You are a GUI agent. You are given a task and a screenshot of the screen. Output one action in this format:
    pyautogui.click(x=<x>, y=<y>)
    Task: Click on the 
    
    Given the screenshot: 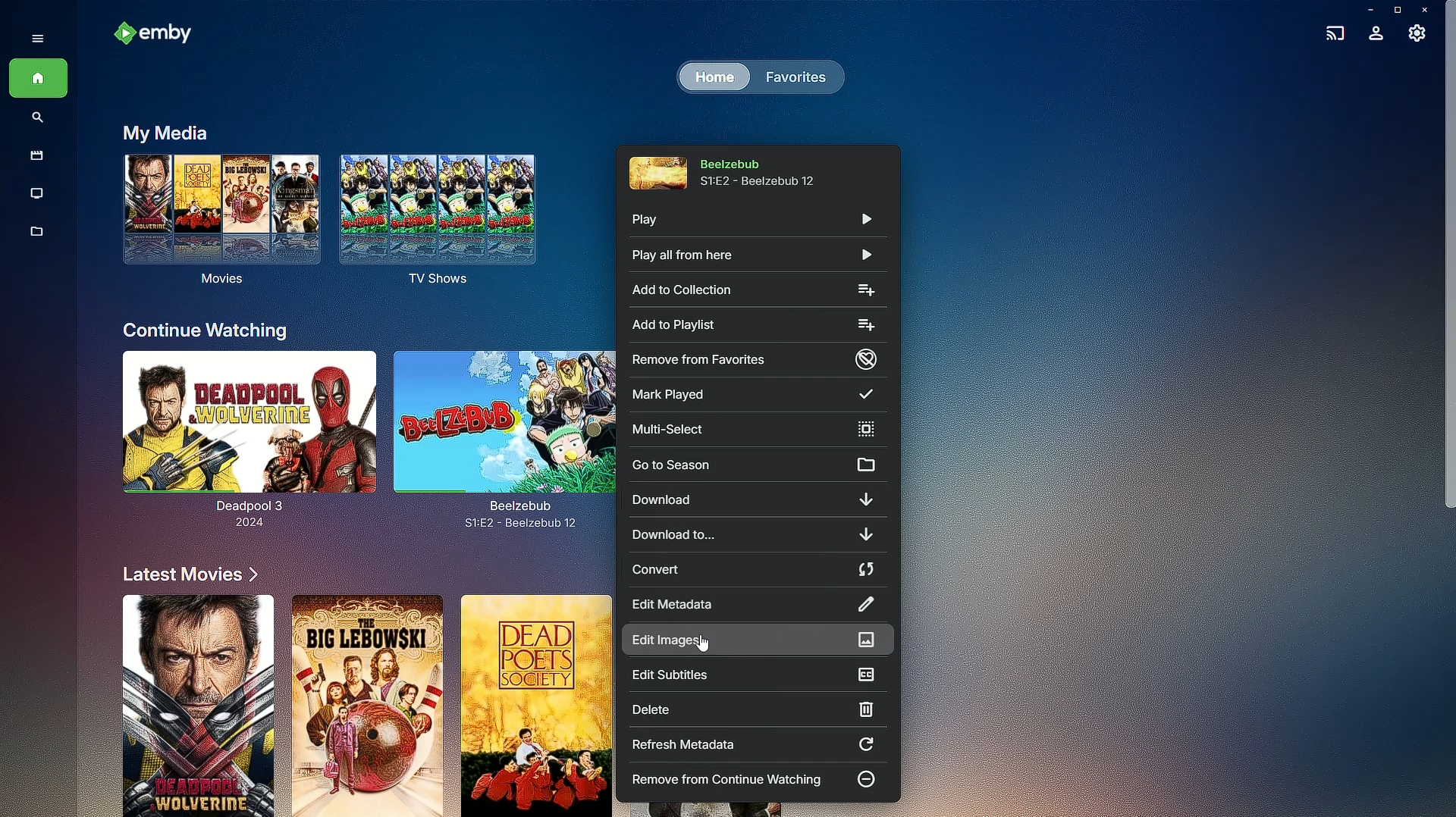 What is the action you would take?
    pyautogui.click(x=190, y=704)
    